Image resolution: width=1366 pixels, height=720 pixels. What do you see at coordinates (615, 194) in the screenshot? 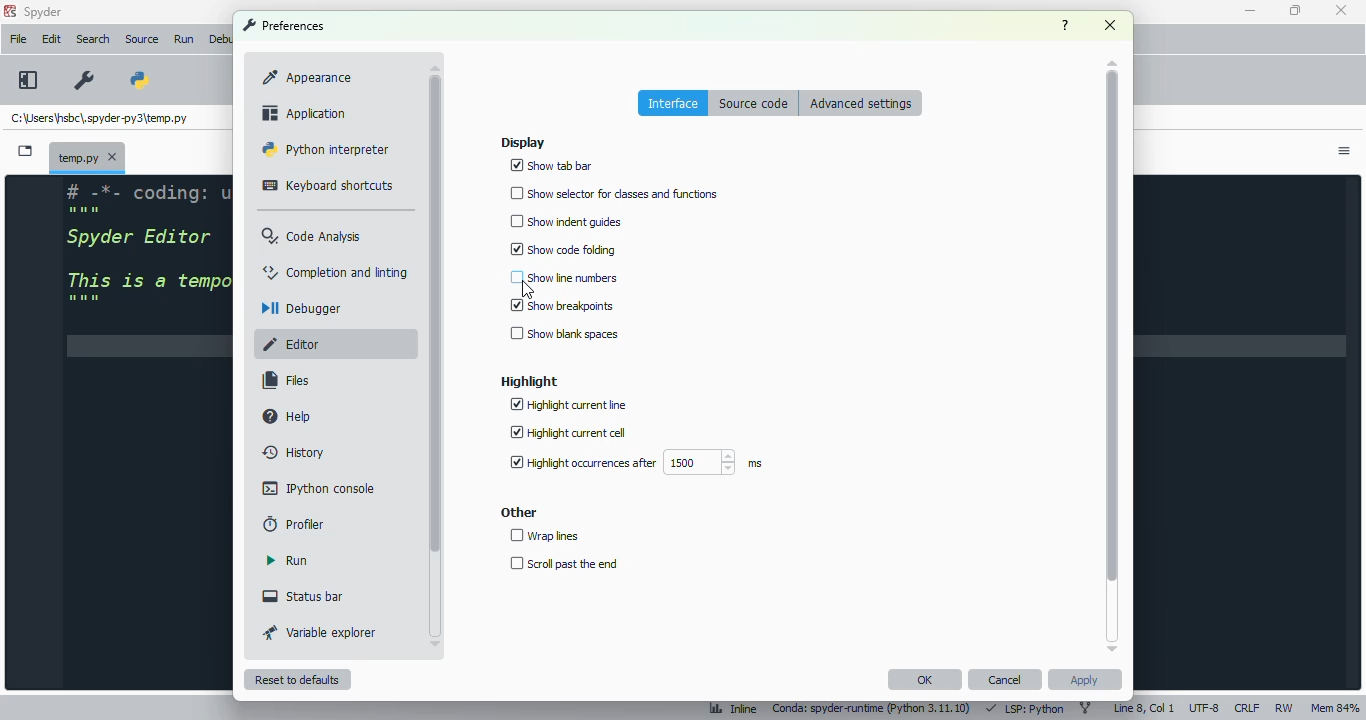
I see `show selector for classes and functions` at bounding box center [615, 194].